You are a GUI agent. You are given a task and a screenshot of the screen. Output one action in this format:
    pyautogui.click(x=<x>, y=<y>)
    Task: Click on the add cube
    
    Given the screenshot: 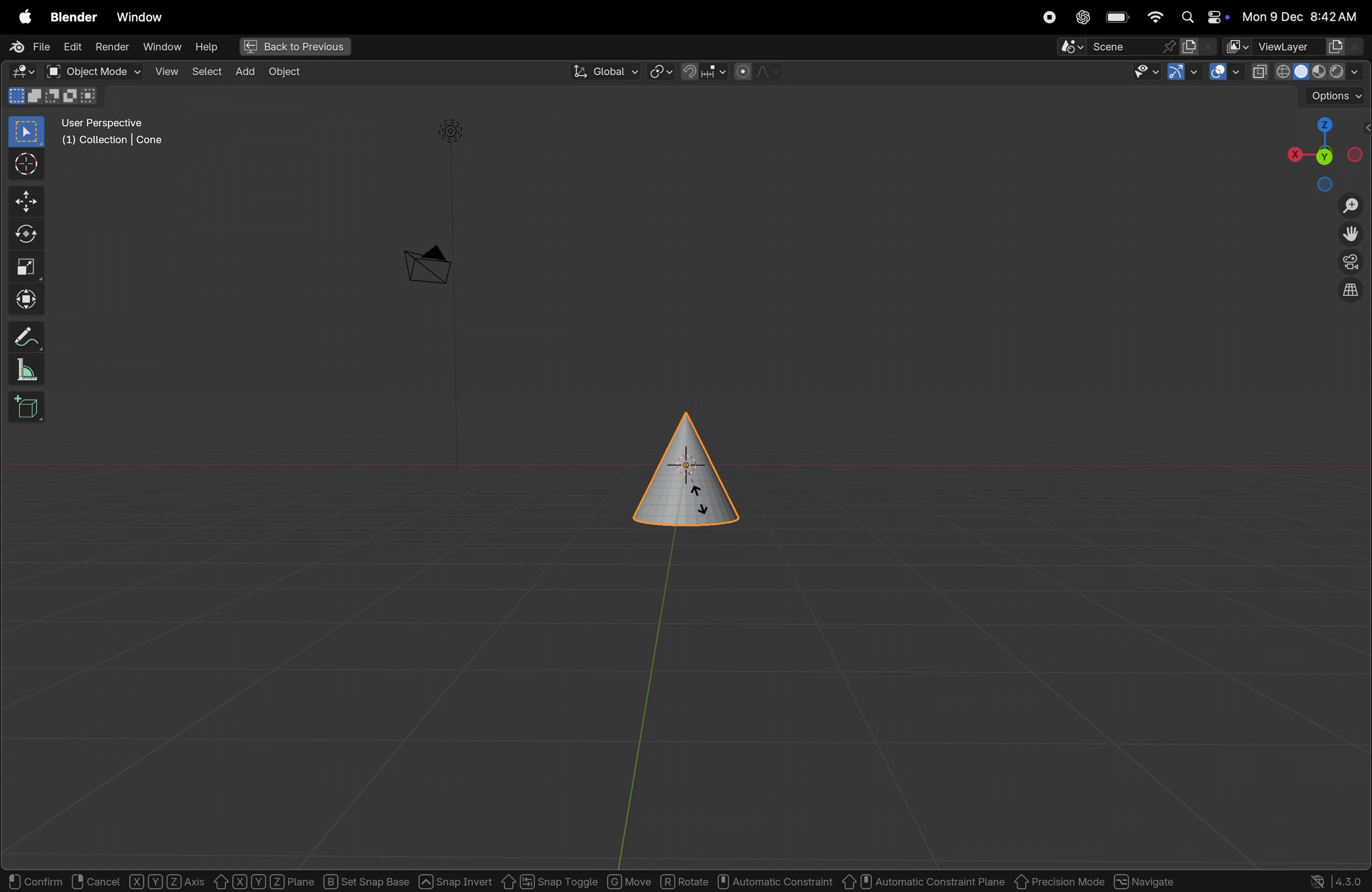 What is the action you would take?
    pyautogui.click(x=24, y=407)
    